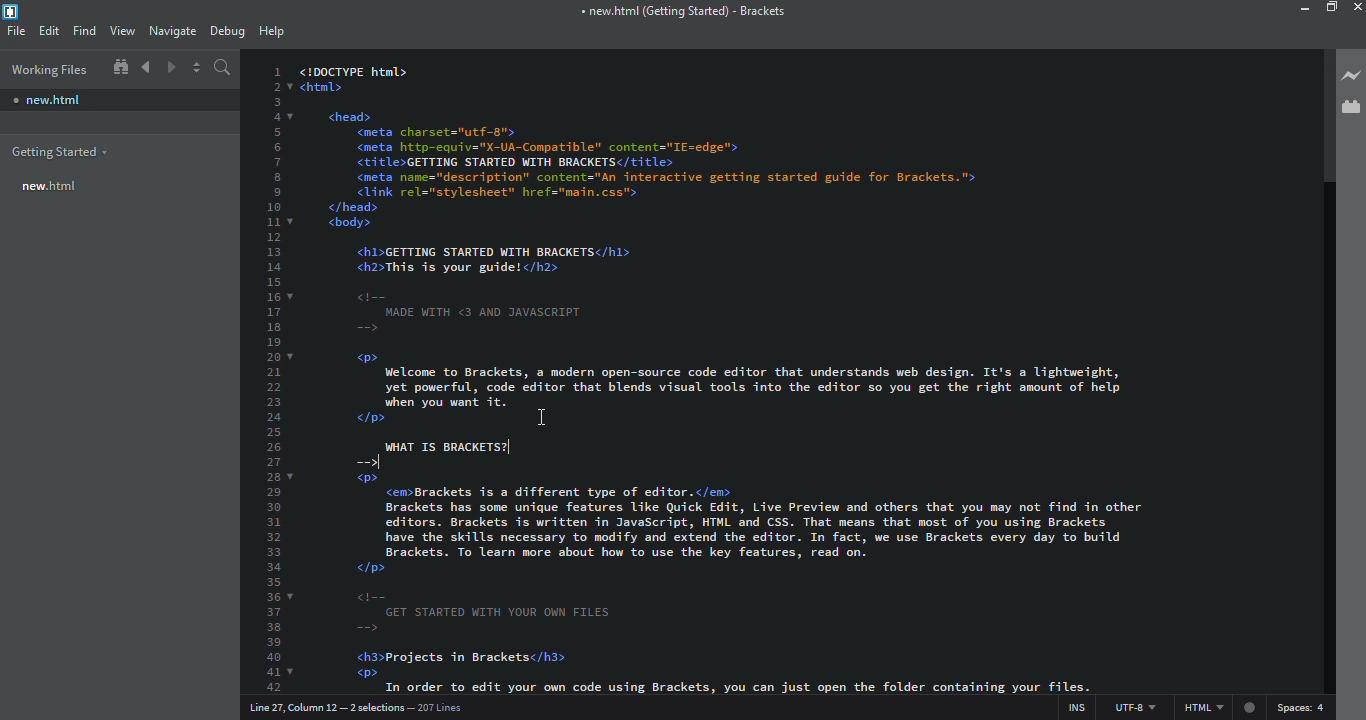 This screenshot has height=720, width=1366. I want to click on find, so click(85, 30).